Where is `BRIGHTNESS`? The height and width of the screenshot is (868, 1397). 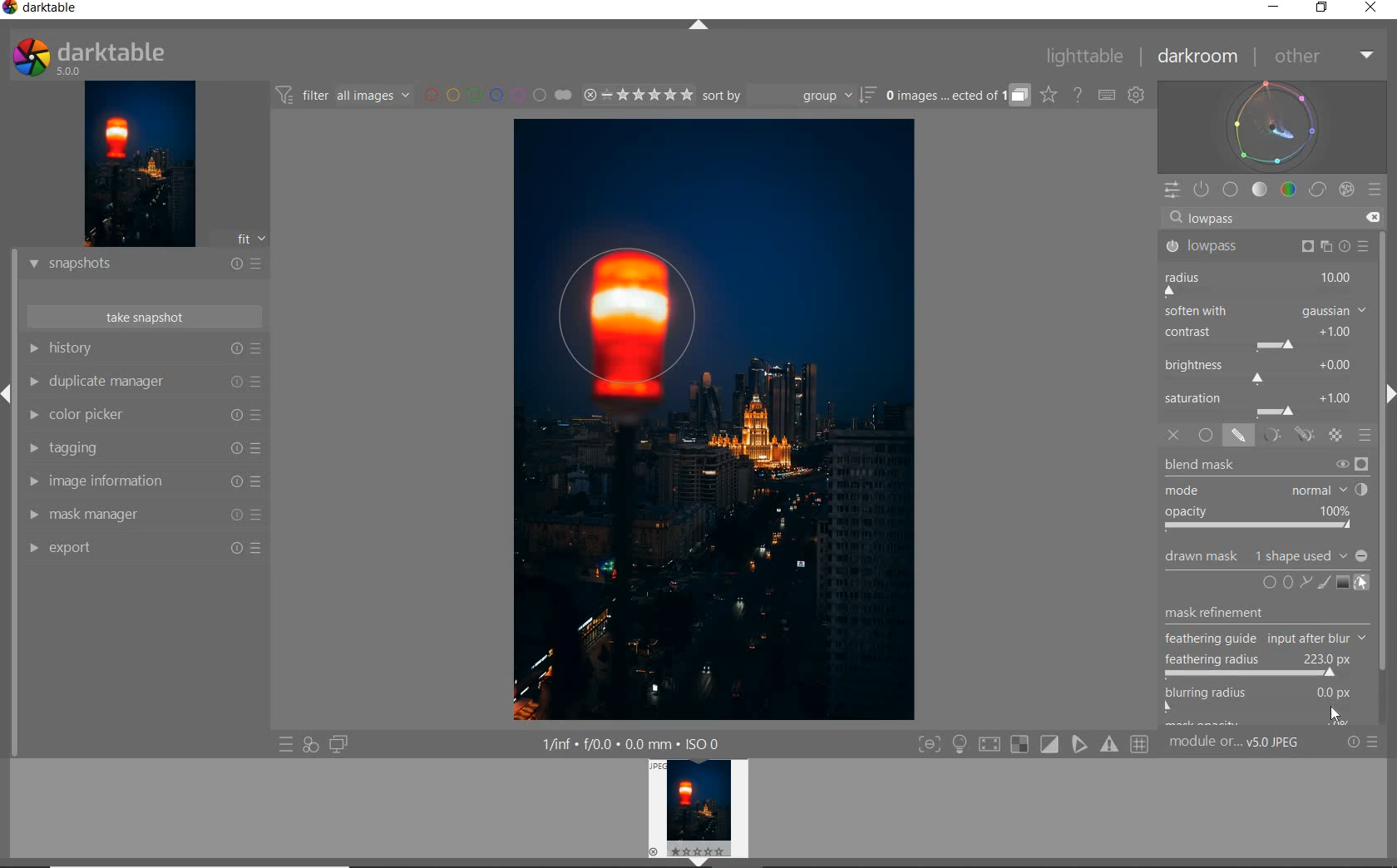 BRIGHTNESS is located at coordinates (1265, 370).